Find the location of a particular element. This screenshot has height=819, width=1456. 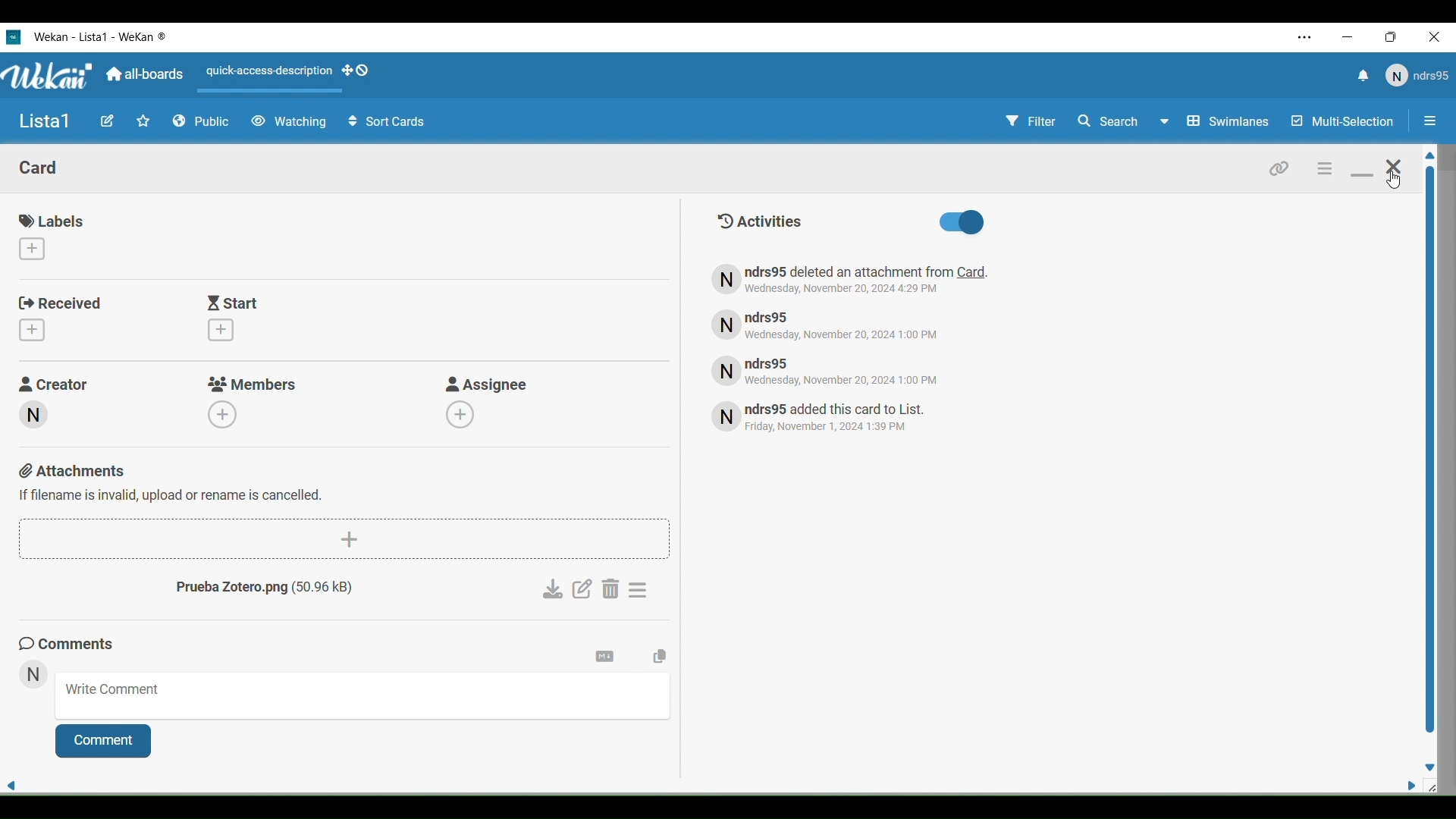

Card is located at coordinates (39, 167).